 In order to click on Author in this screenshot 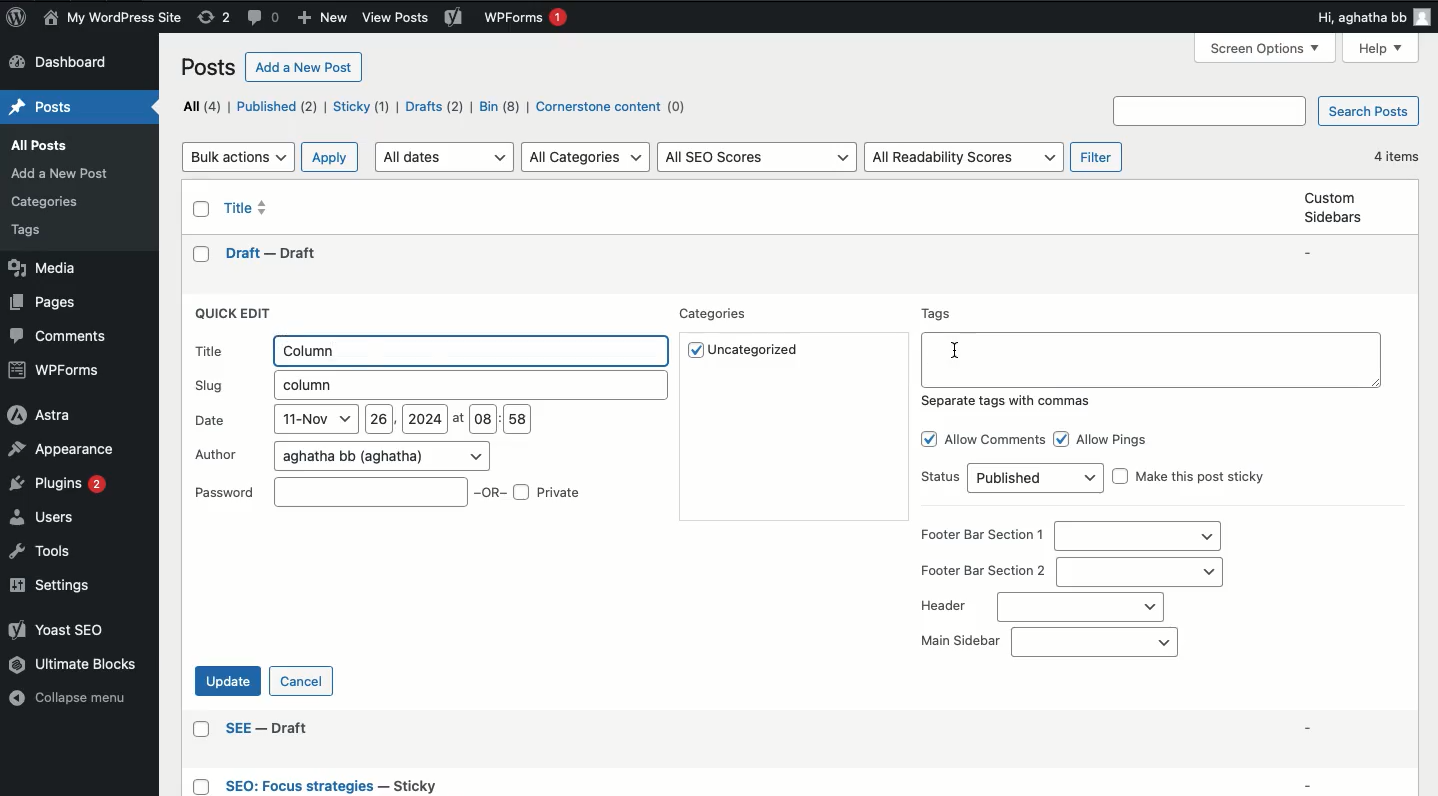, I will do `click(341, 456)`.